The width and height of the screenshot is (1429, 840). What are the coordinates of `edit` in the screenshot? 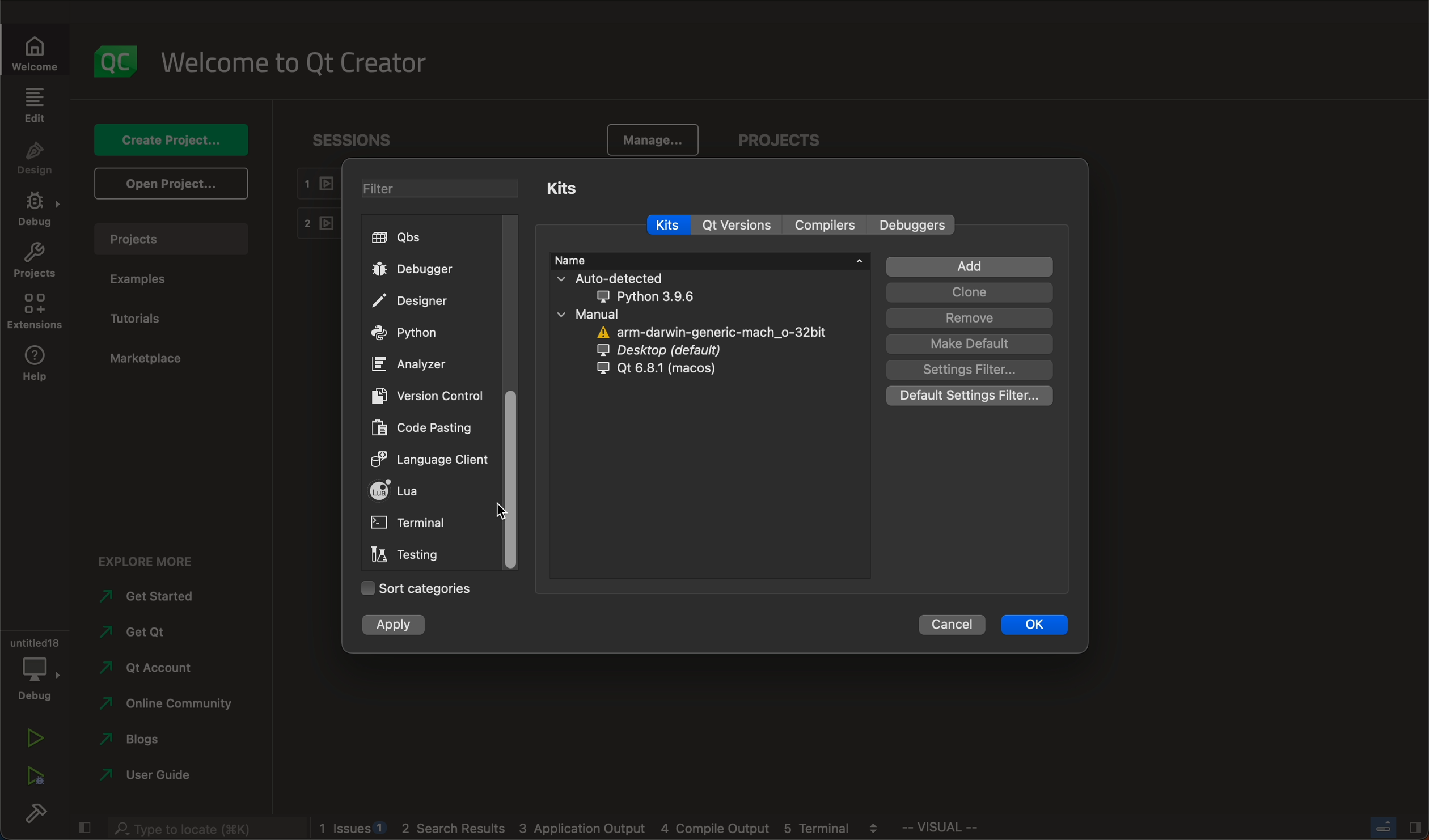 It's located at (36, 104).